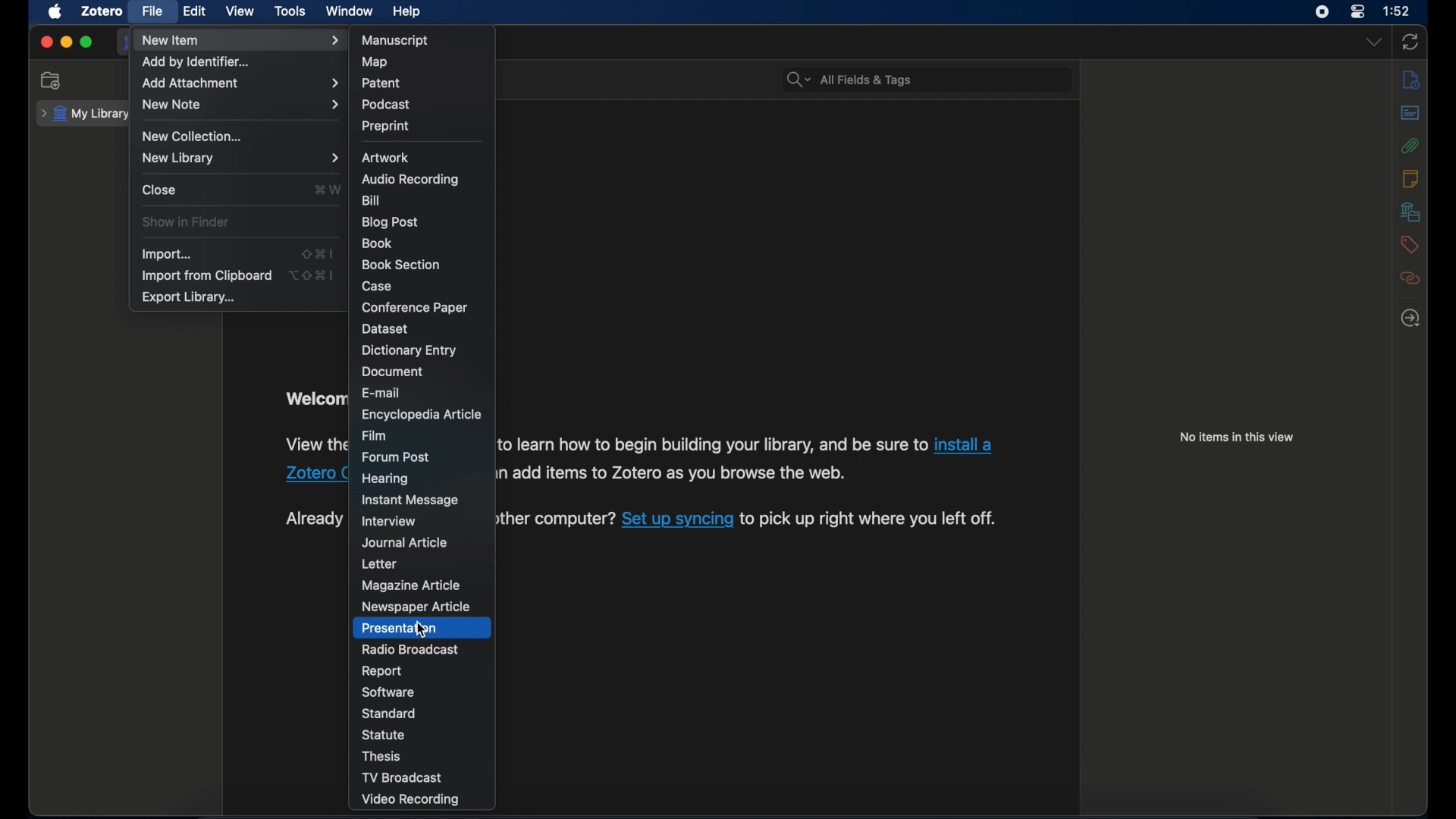 The height and width of the screenshot is (819, 1456). What do you see at coordinates (422, 414) in the screenshot?
I see `encyclopedia article` at bounding box center [422, 414].